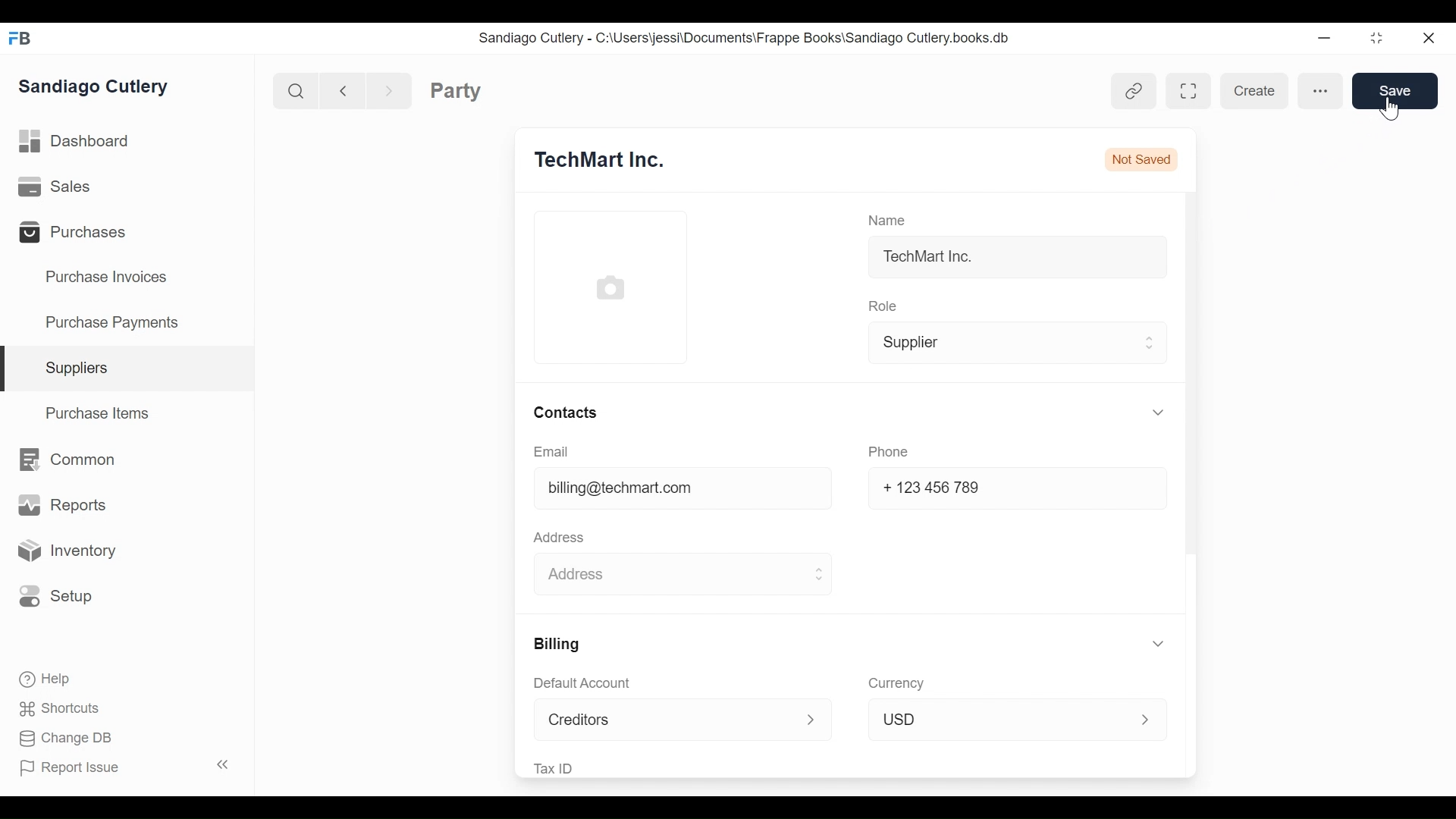 This screenshot has width=1456, height=819. What do you see at coordinates (100, 416) in the screenshot?
I see `Purchase items` at bounding box center [100, 416].